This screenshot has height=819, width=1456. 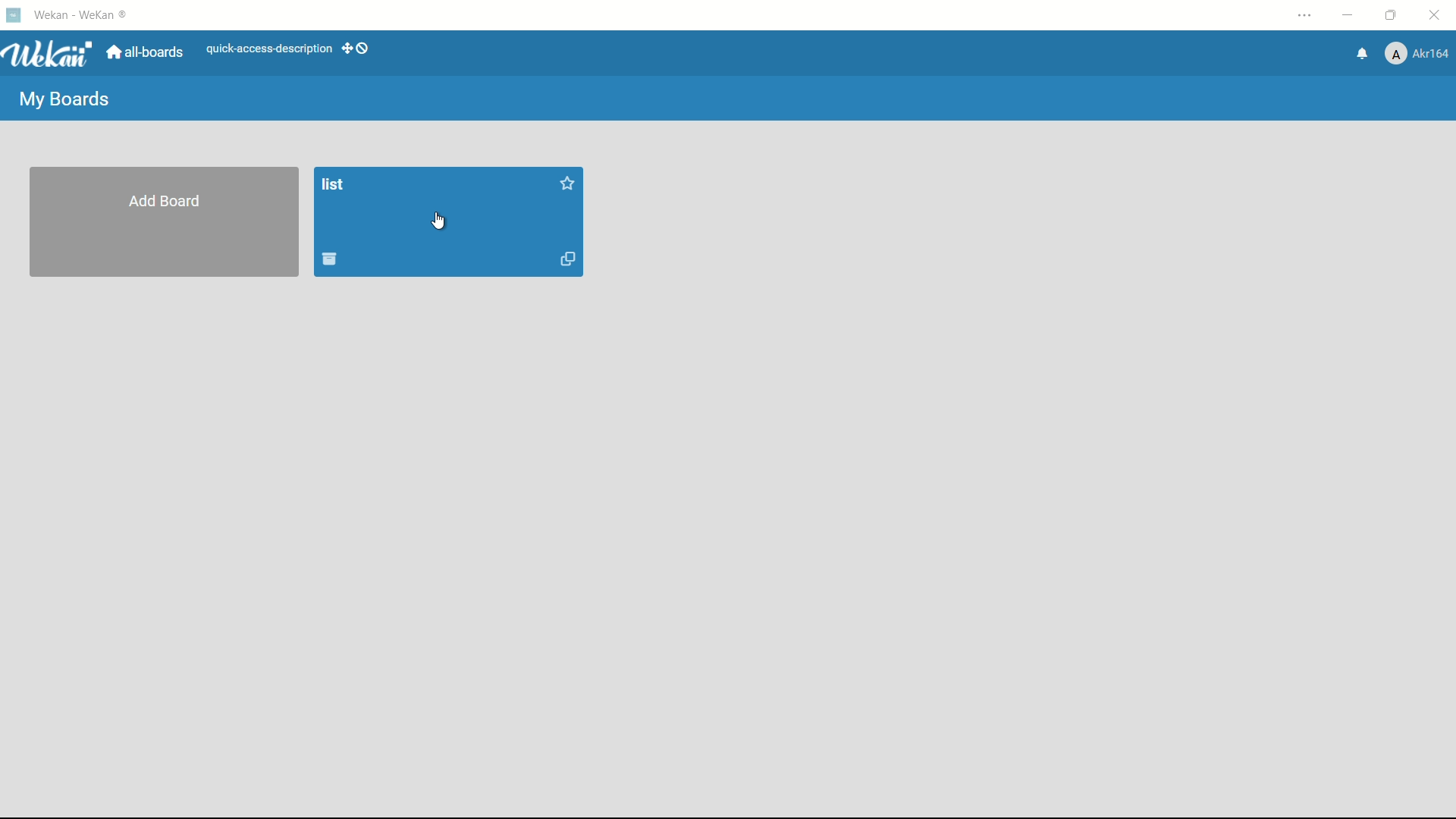 What do you see at coordinates (83, 13) in the screenshot?
I see `Wekan - WeKan ®` at bounding box center [83, 13].